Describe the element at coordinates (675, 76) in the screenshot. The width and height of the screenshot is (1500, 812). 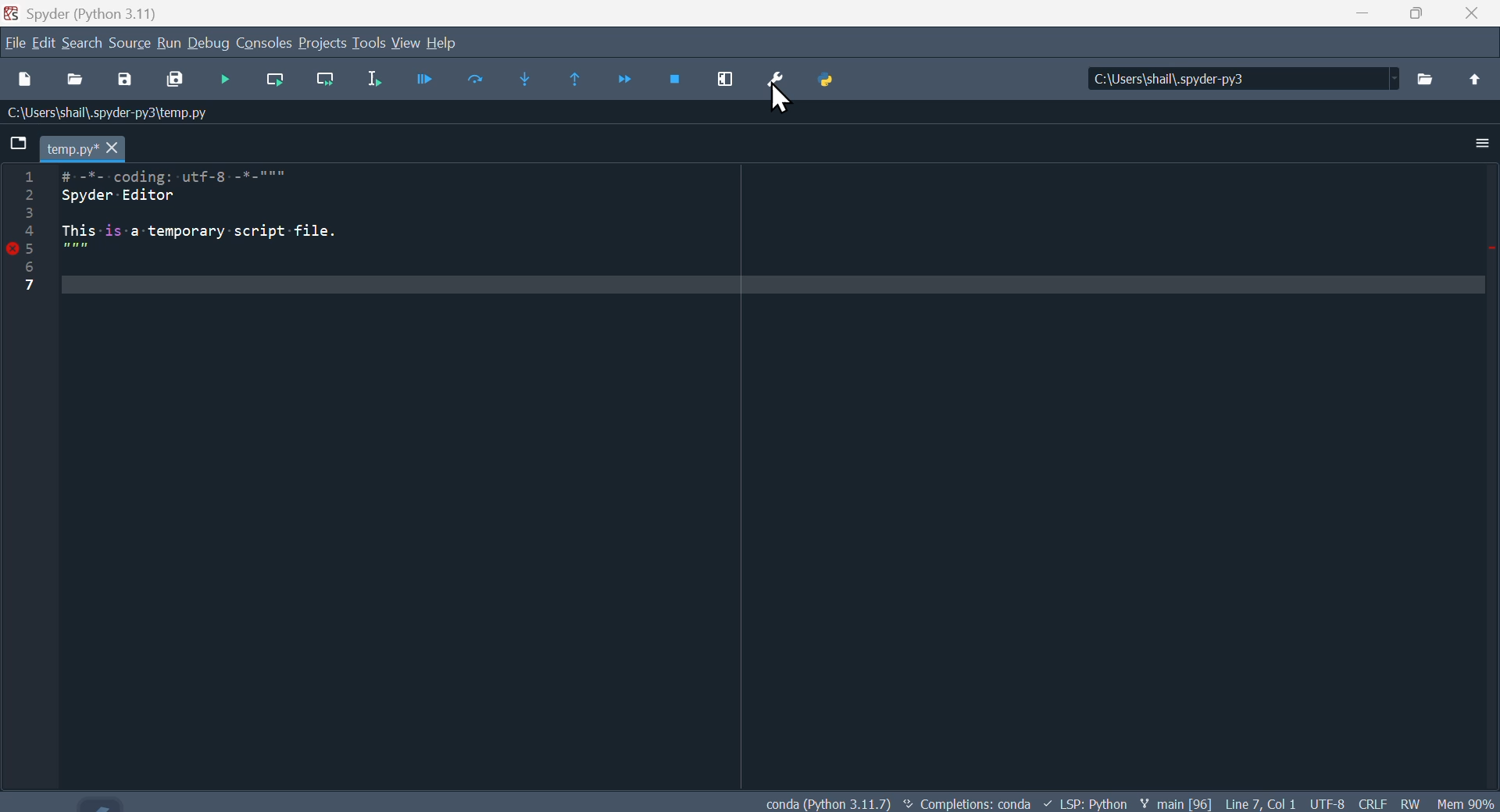
I see `Stop debugging` at that location.